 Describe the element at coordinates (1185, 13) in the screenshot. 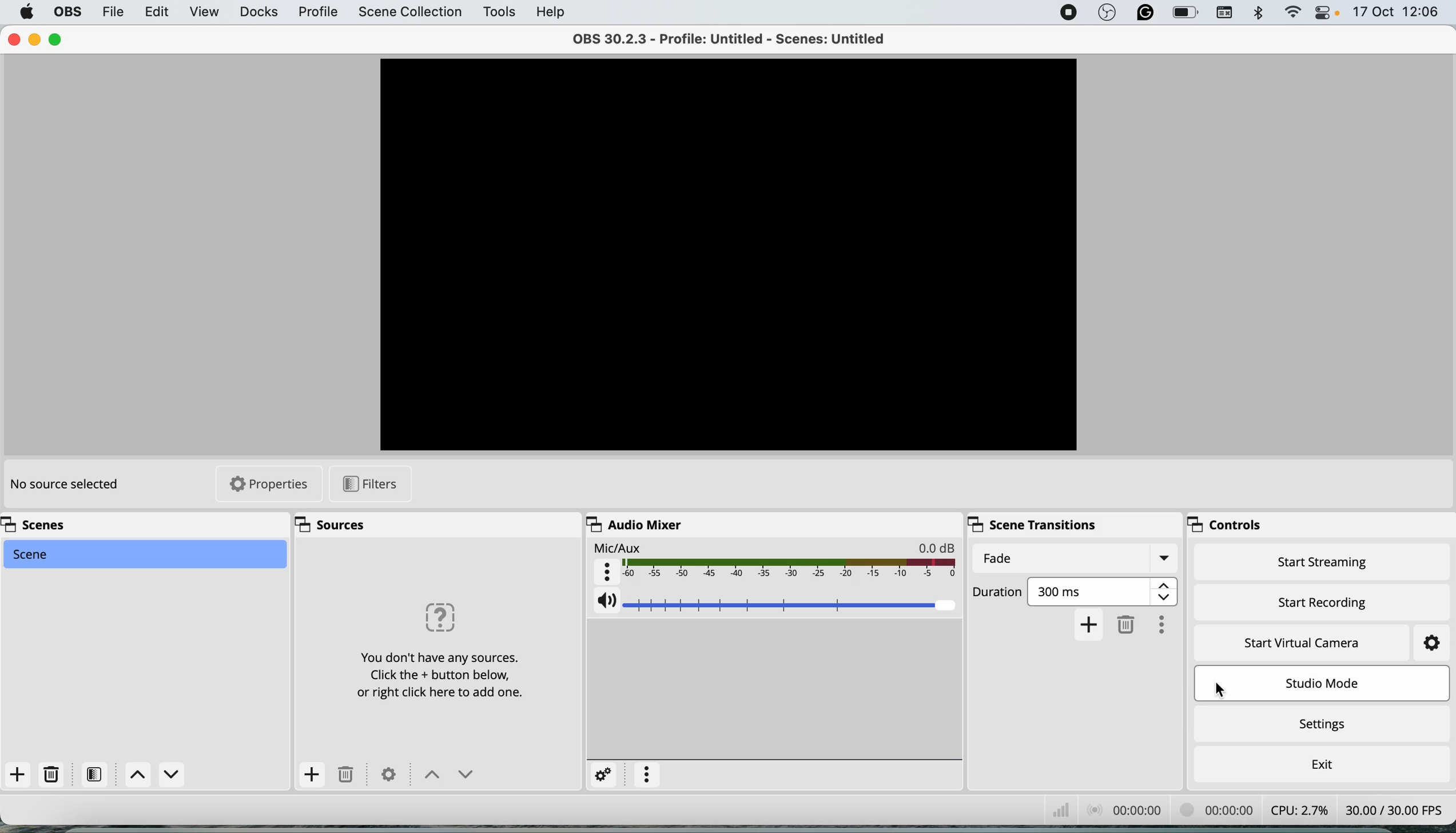

I see `battery` at that location.